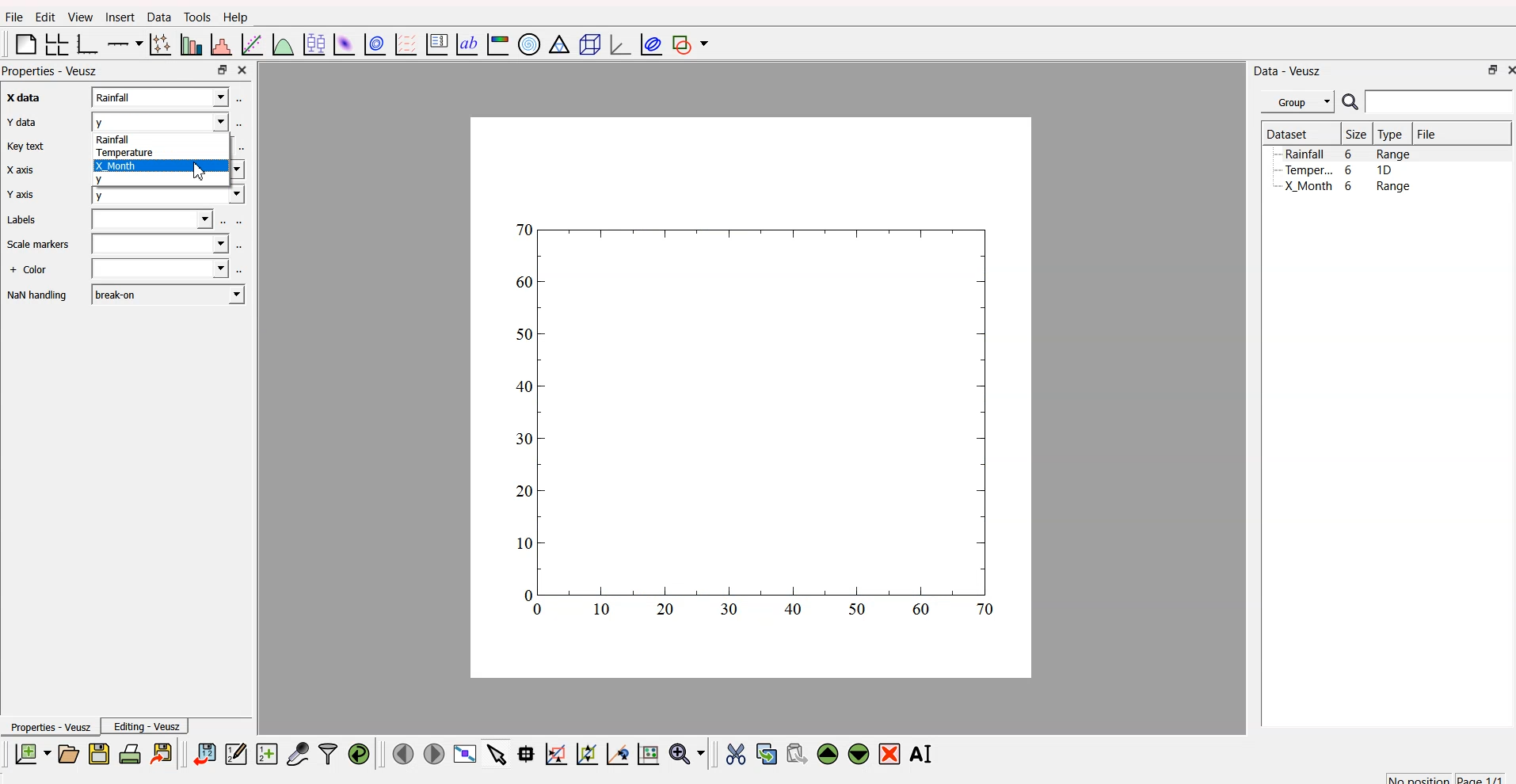  I want to click on Y data, so click(21, 124).